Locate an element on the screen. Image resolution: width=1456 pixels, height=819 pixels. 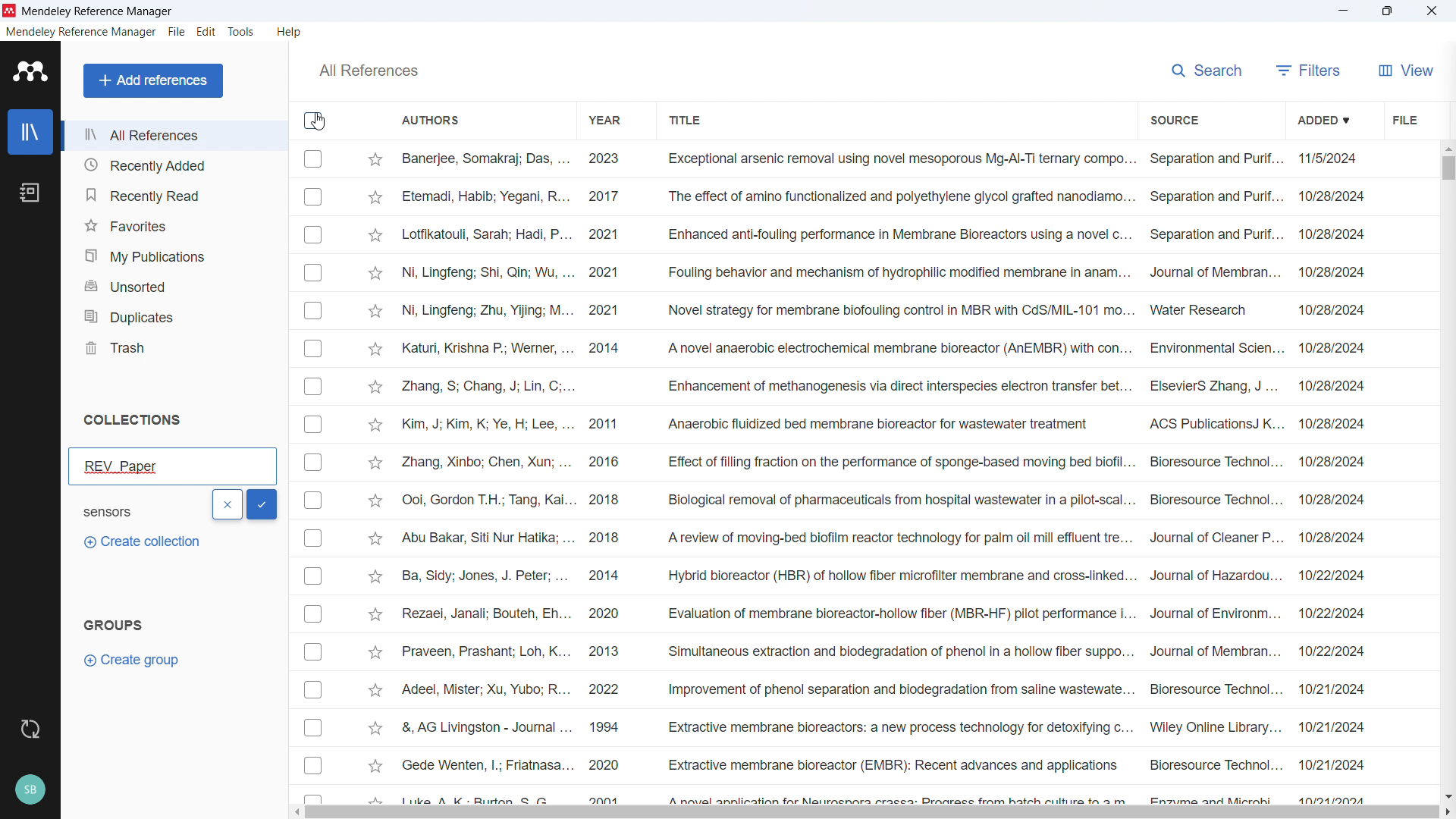
Select respective publication is located at coordinates (313, 310).